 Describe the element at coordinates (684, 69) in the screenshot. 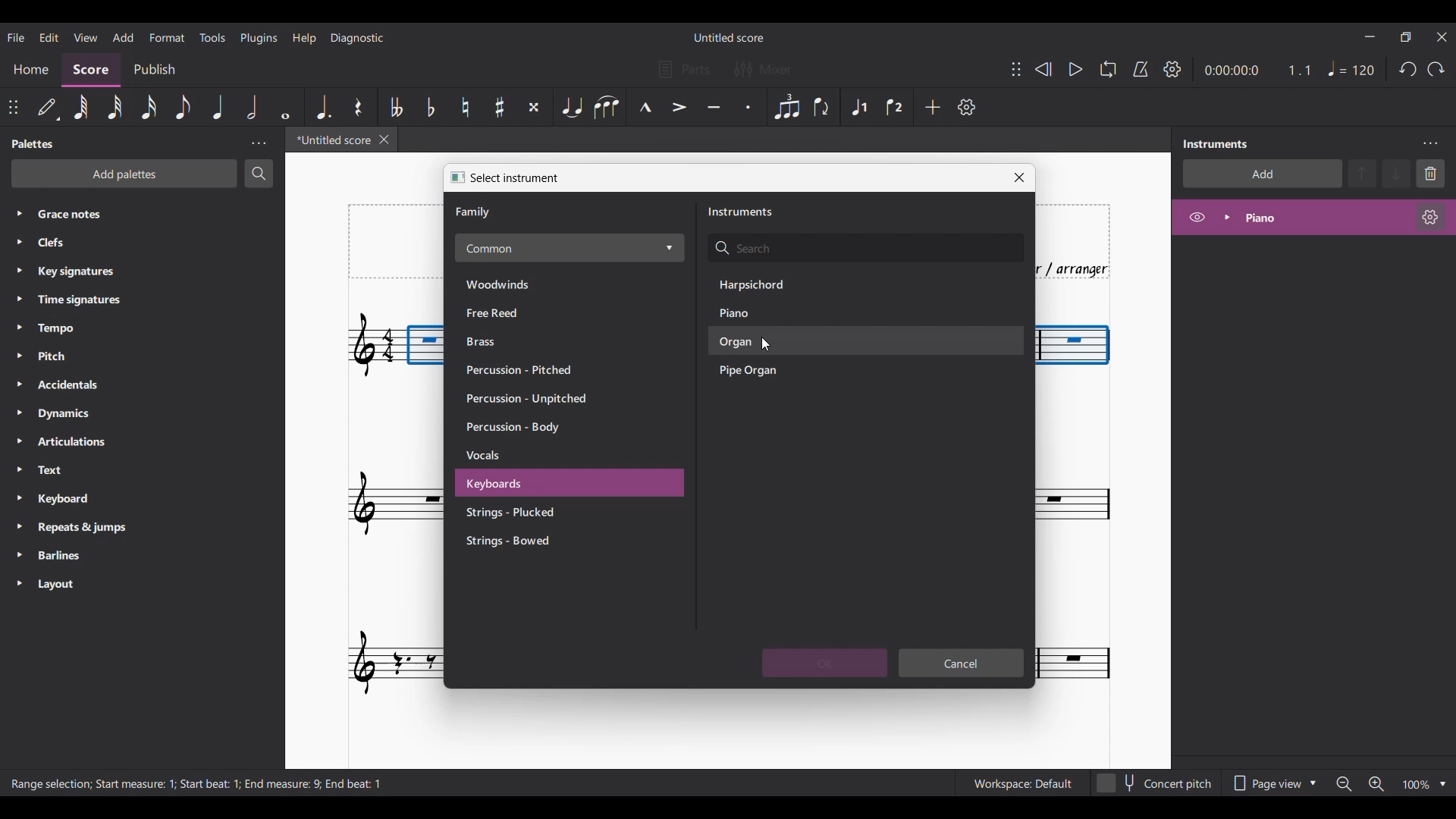

I see `Parts` at that location.